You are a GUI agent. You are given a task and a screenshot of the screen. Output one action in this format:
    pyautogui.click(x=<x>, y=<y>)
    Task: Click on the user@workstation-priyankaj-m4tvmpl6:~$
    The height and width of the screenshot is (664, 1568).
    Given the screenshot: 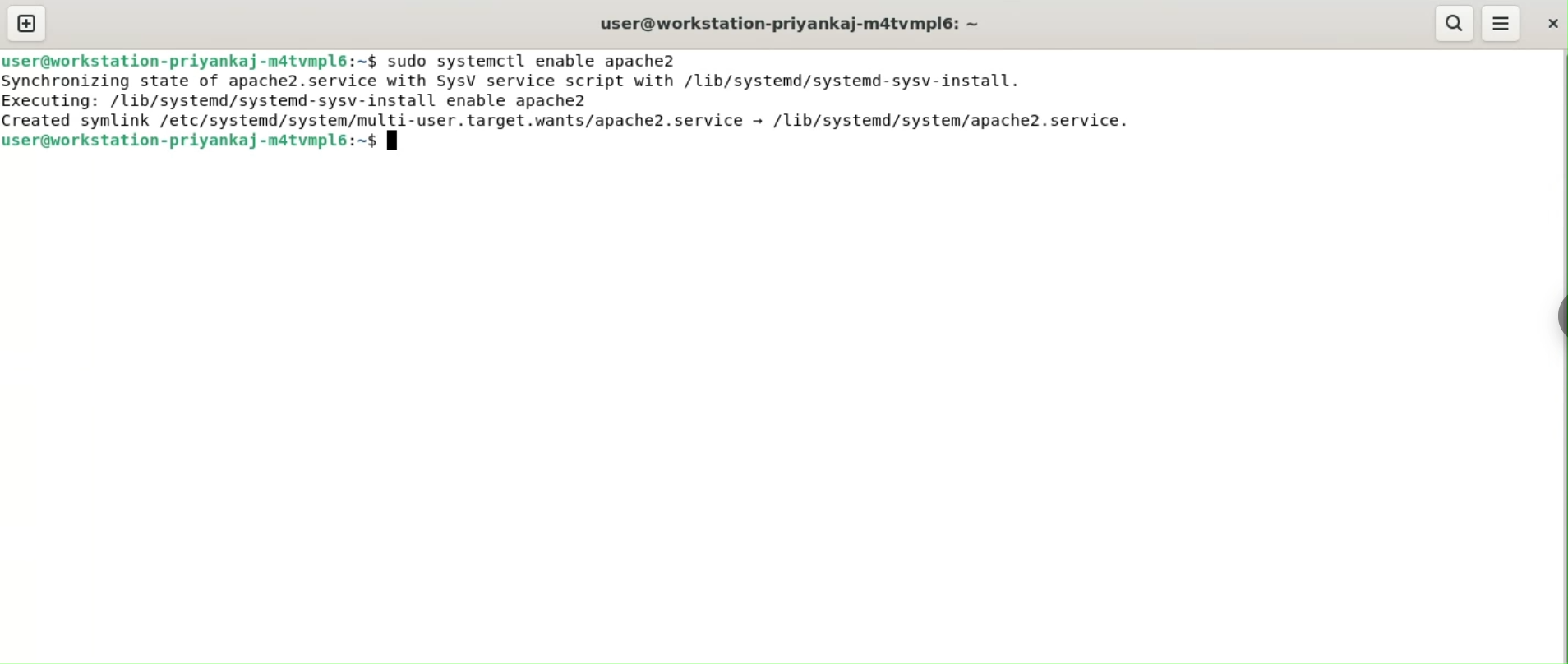 What is the action you would take?
    pyautogui.click(x=786, y=23)
    